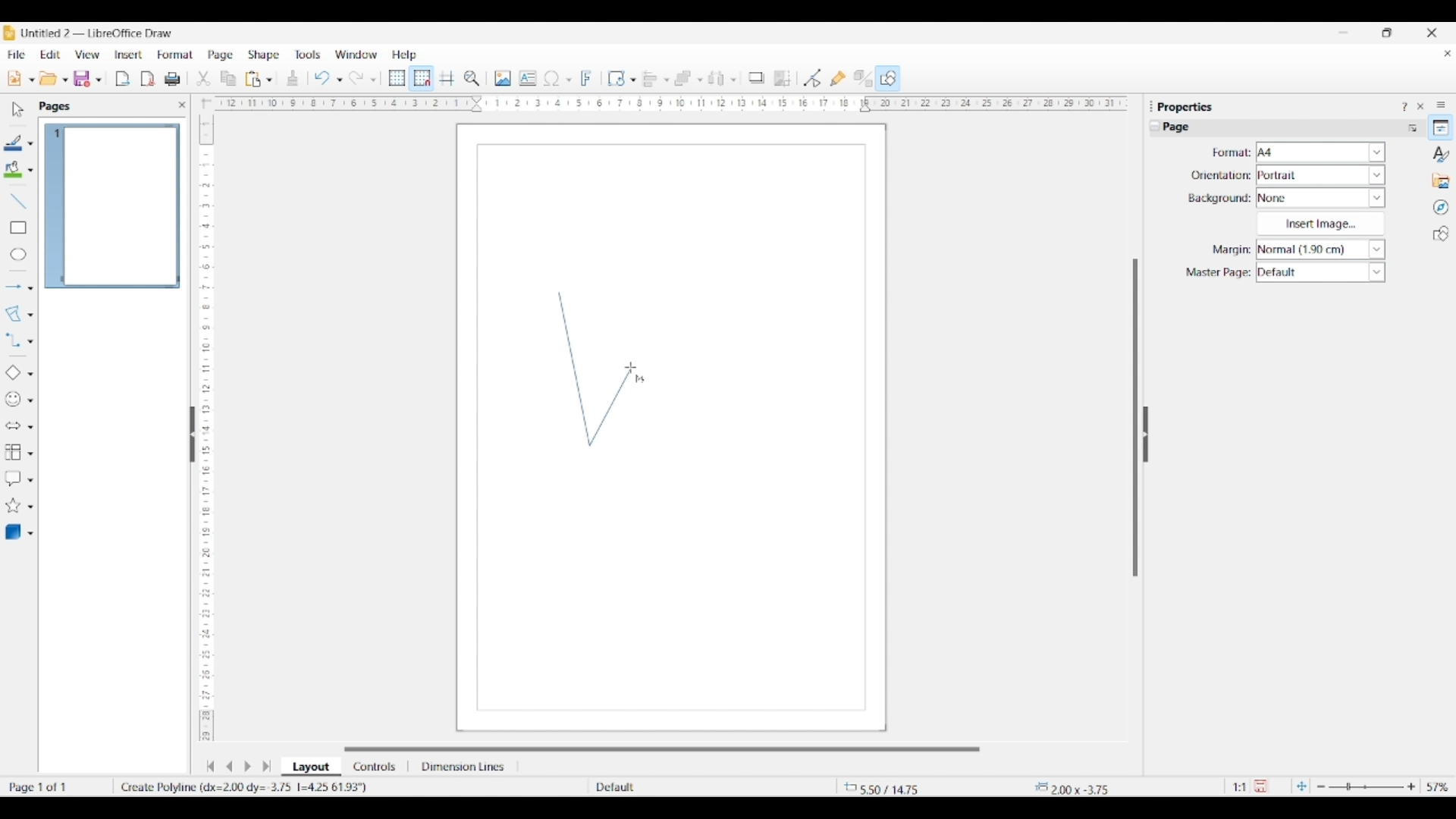 The image size is (1456, 819). What do you see at coordinates (49, 79) in the screenshot?
I see `Selected open options` at bounding box center [49, 79].